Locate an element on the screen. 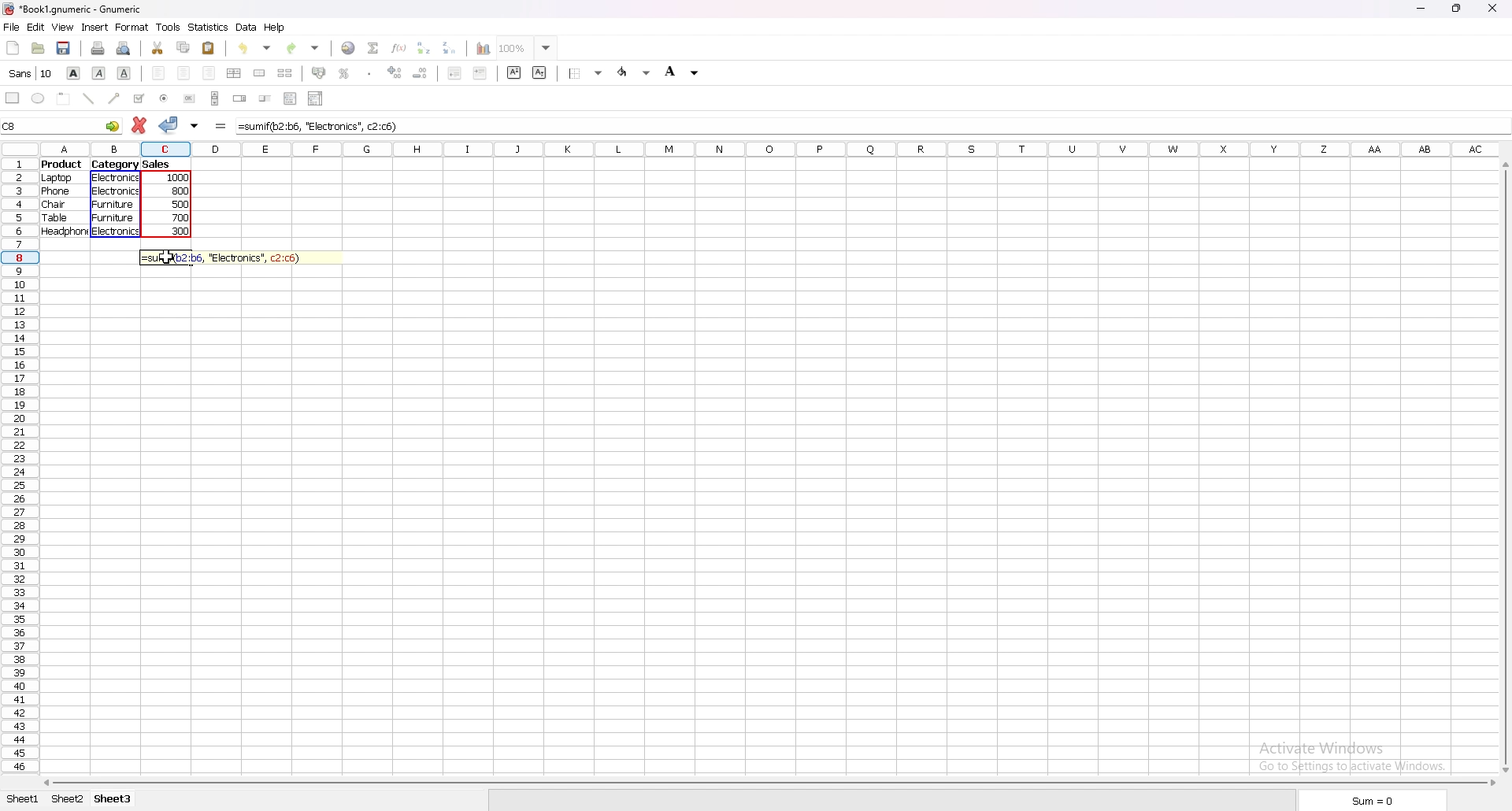 The image size is (1512, 811). electronics is located at coordinates (116, 190).